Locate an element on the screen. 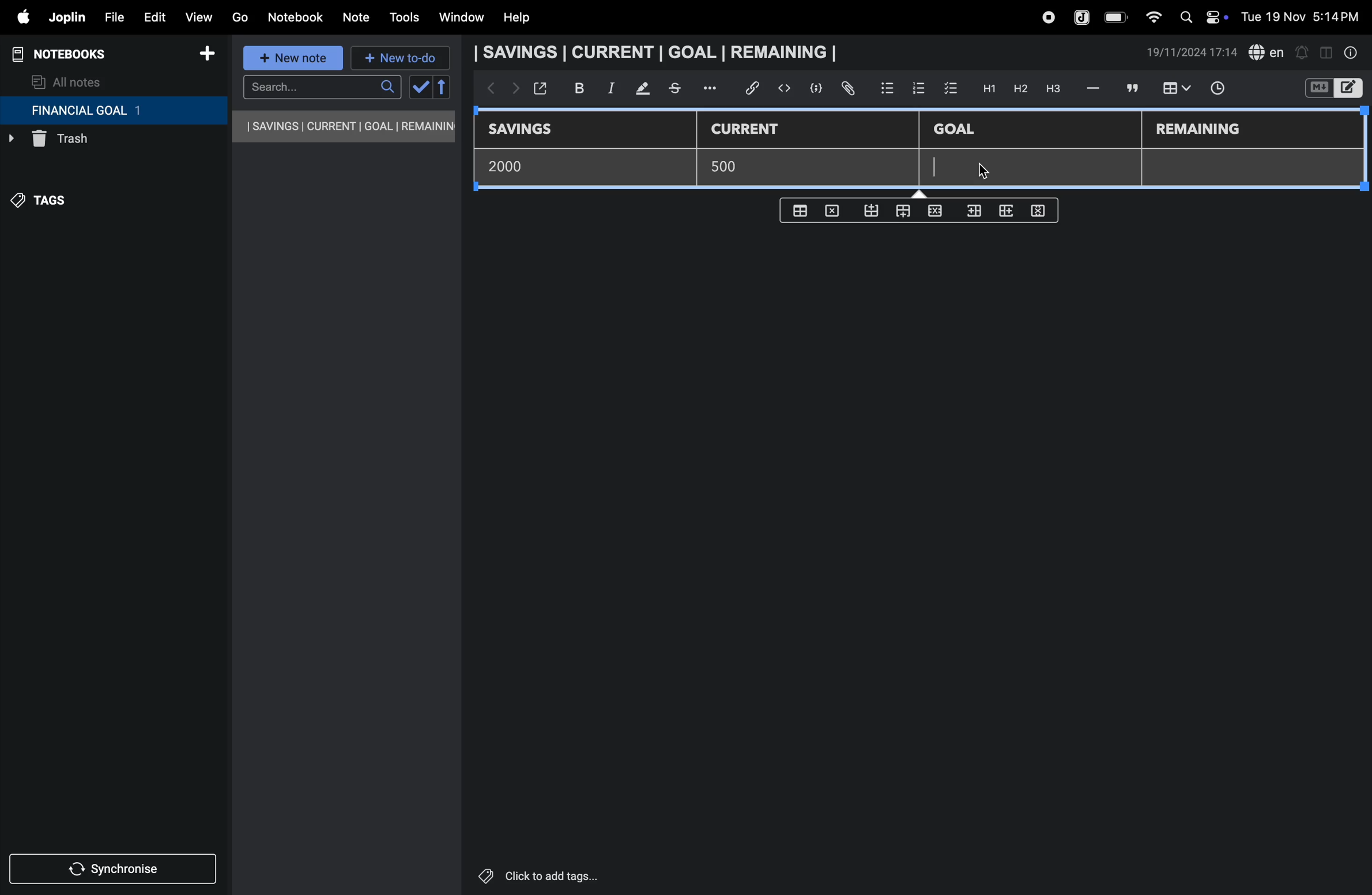 This screenshot has height=895, width=1372. delete is located at coordinates (835, 210).